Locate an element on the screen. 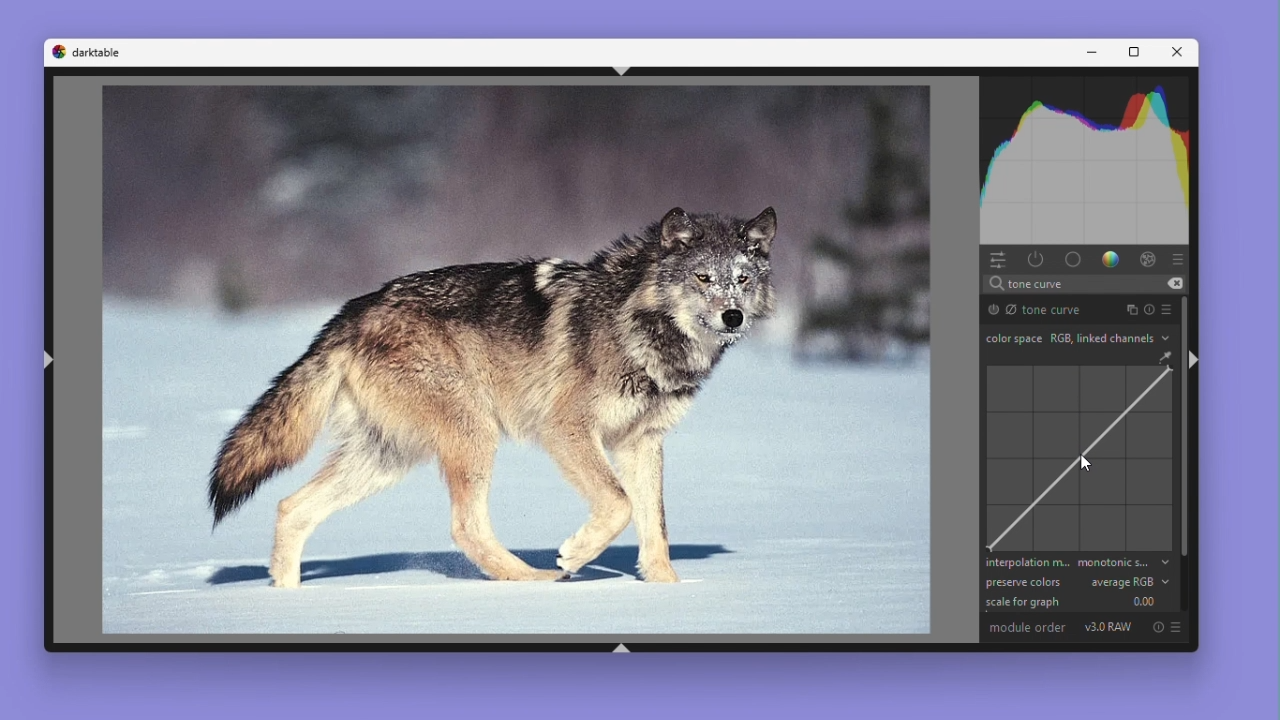  Quick access panel is located at coordinates (998, 259).